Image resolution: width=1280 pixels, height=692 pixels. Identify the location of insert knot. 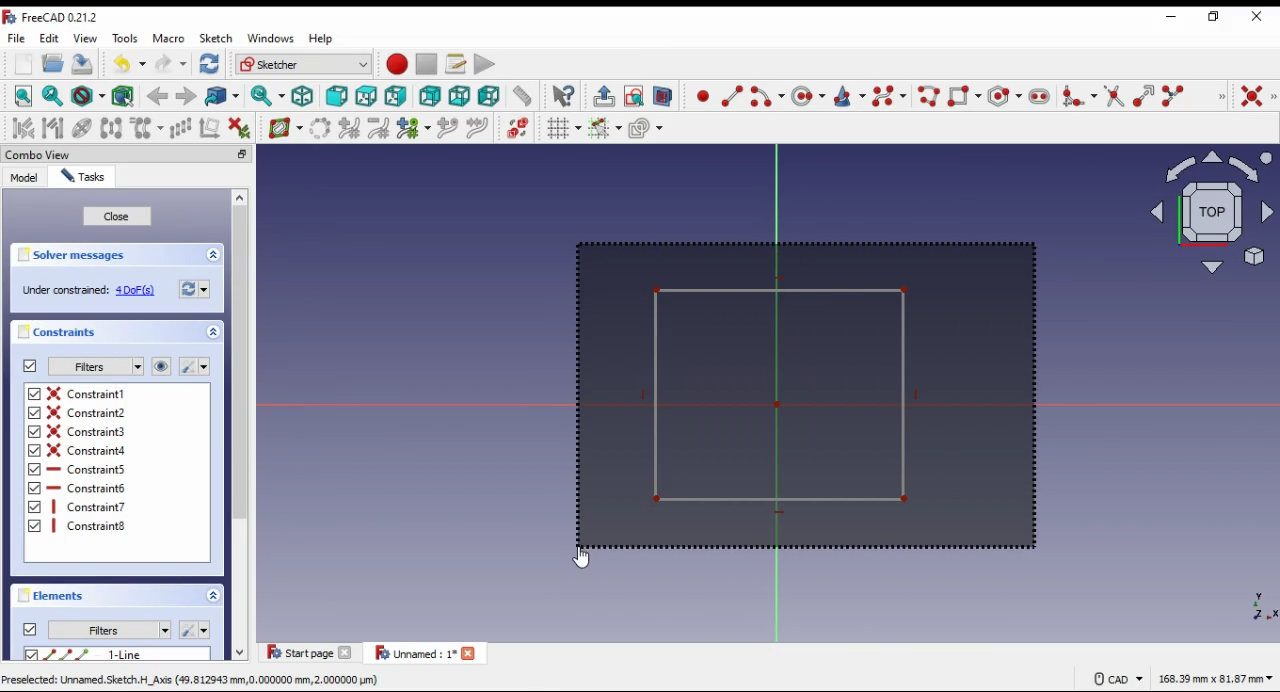
(447, 129).